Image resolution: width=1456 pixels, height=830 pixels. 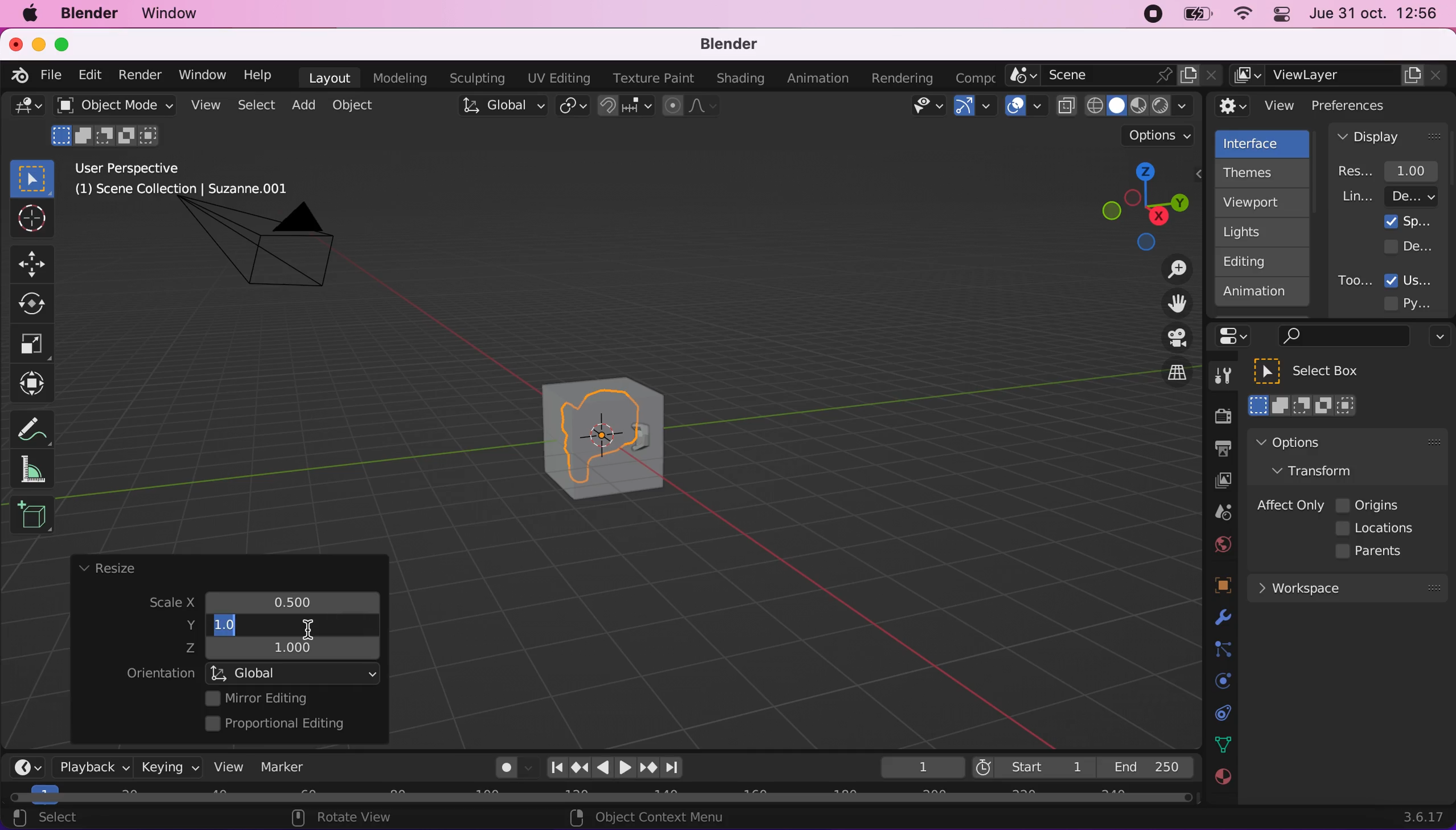 I want to click on , so click(x=38, y=304).